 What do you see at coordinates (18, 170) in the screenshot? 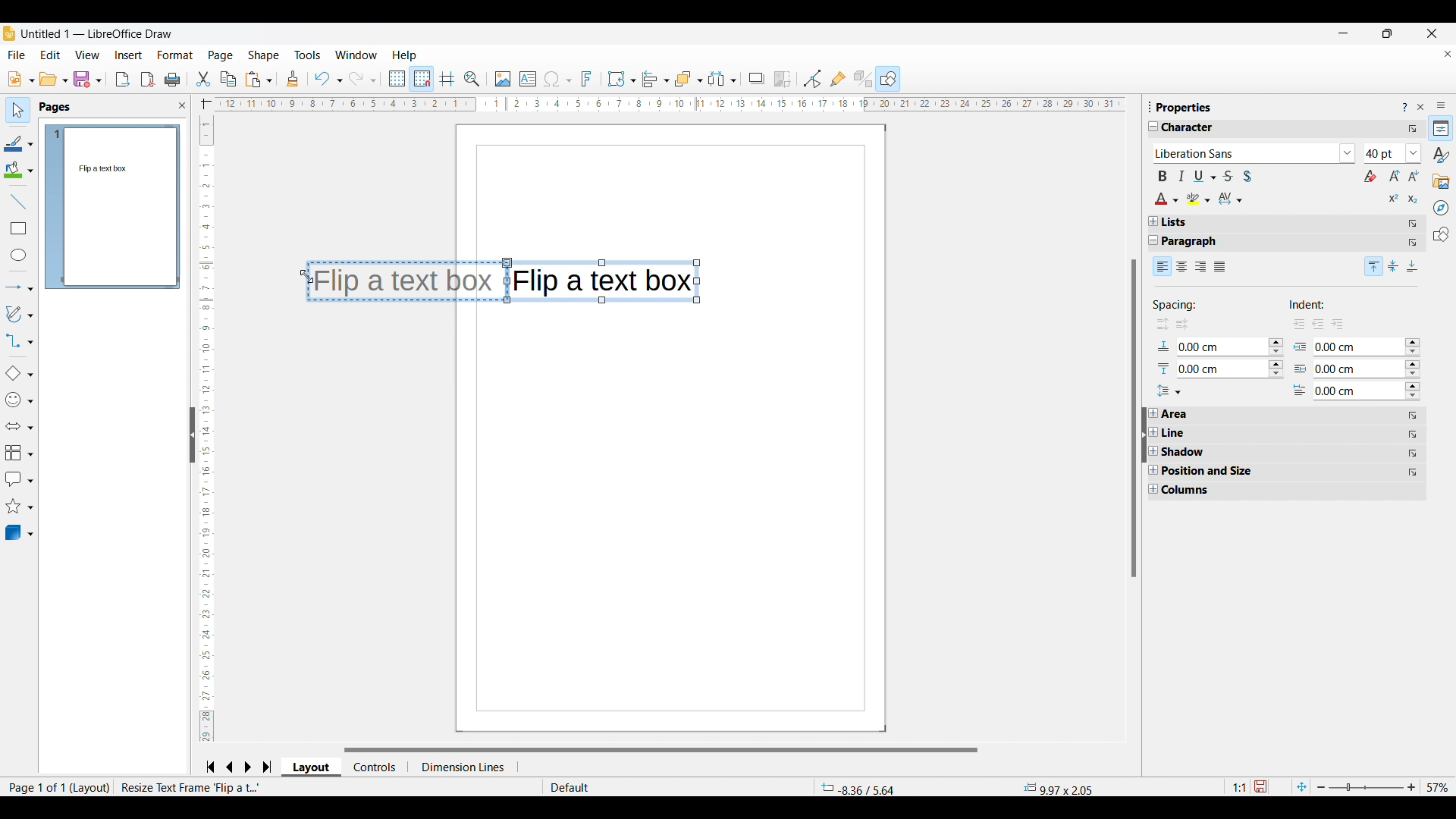
I see `Fill color options` at bounding box center [18, 170].